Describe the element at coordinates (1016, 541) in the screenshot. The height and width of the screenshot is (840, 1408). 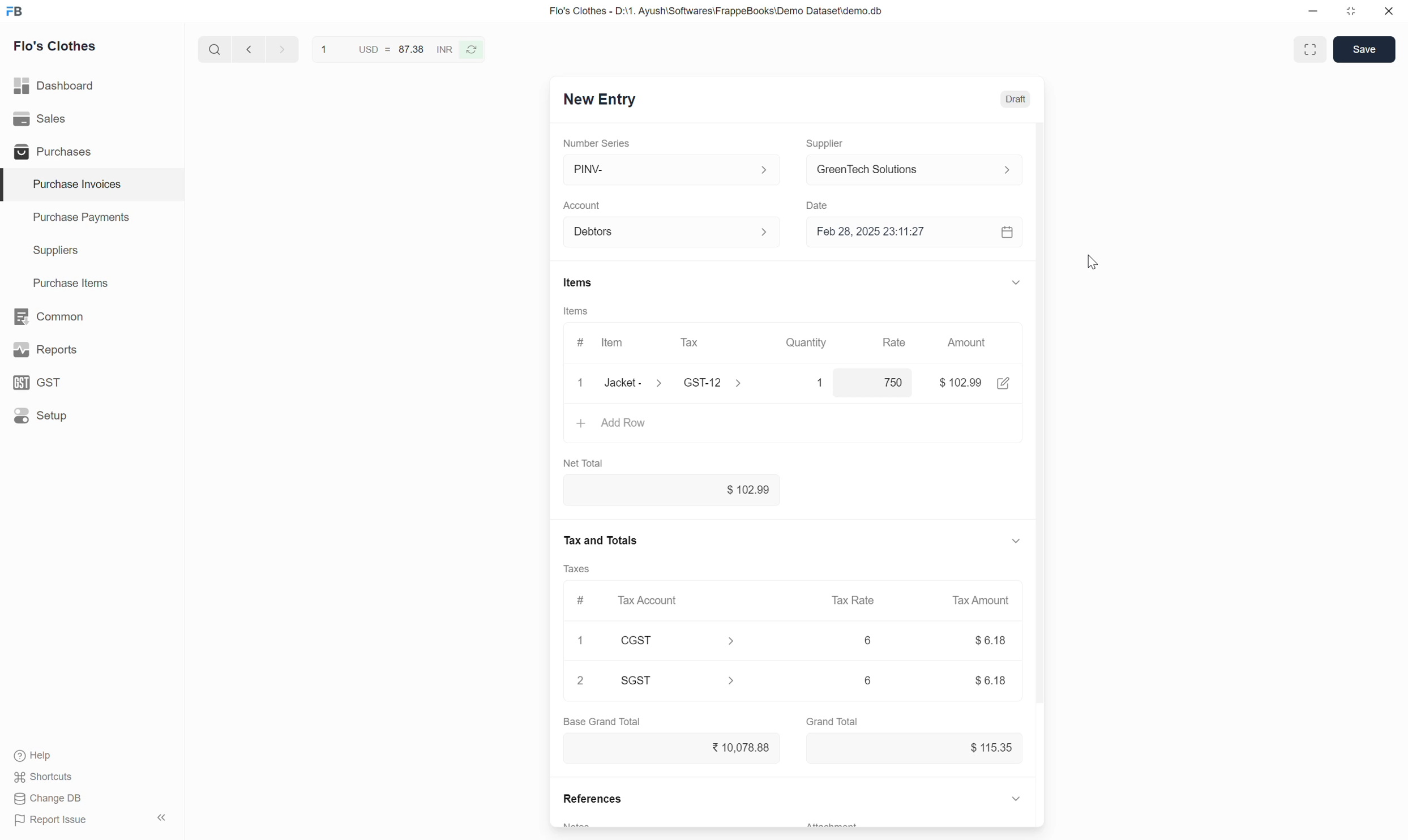
I see `Collapse` at that location.